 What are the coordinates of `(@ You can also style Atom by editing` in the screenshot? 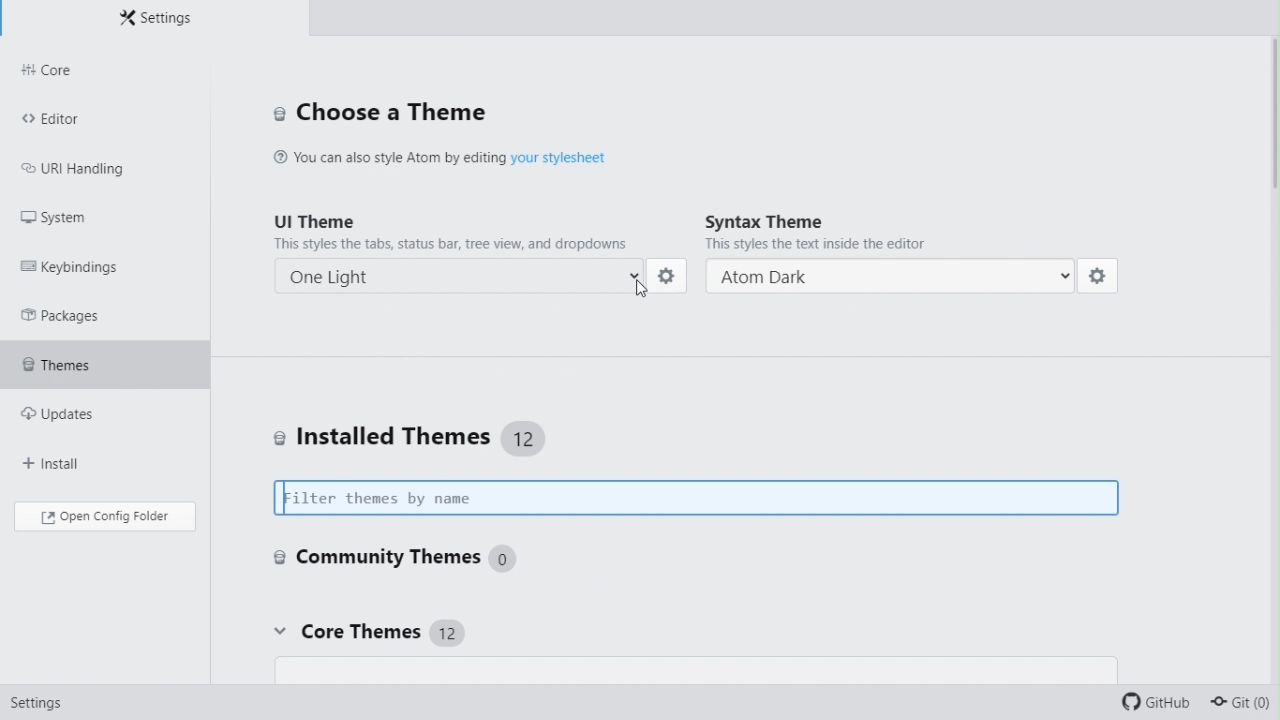 It's located at (386, 160).